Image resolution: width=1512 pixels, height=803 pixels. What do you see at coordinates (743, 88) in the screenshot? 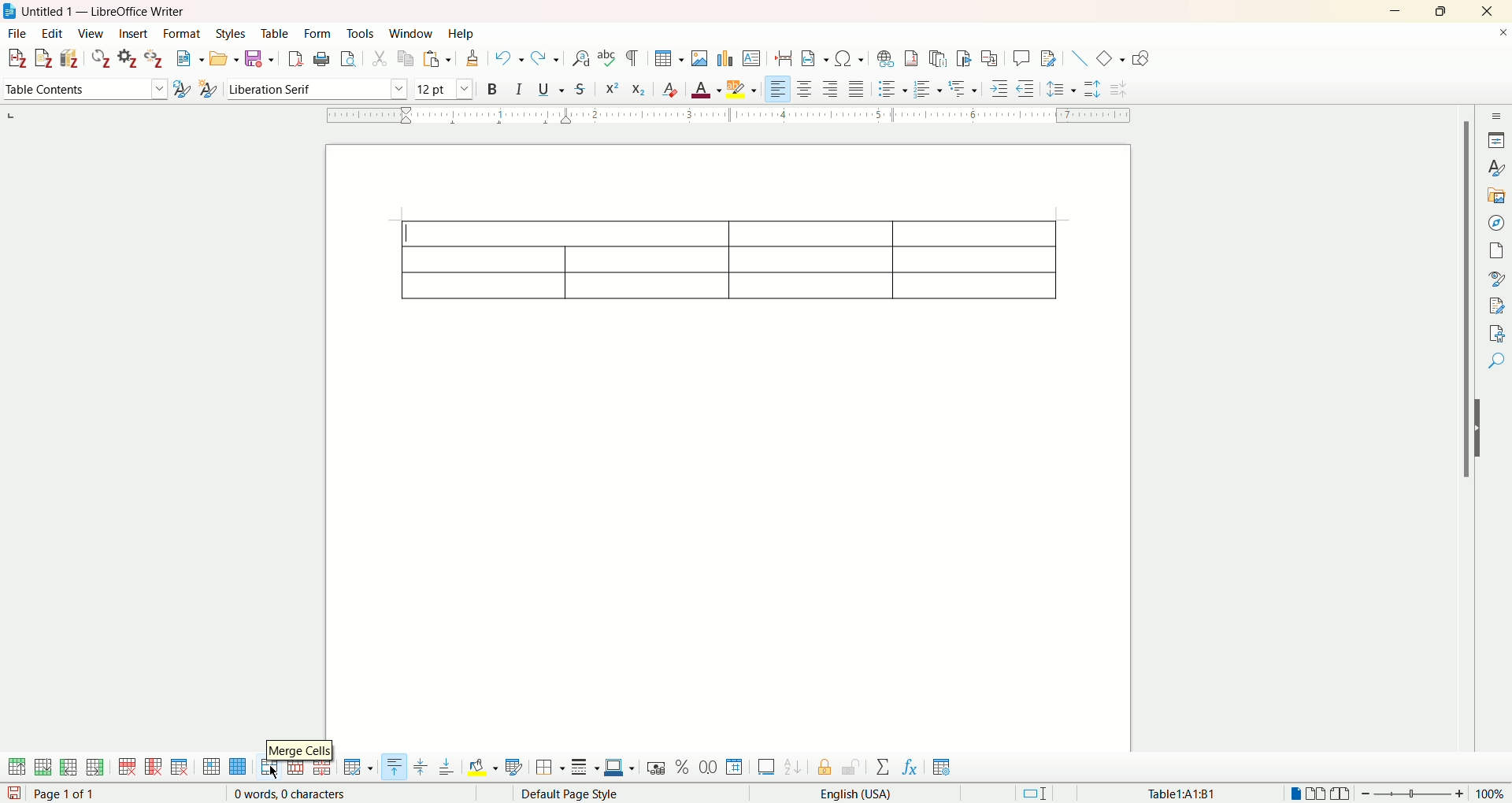
I see `highlighting color` at bounding box center [743, 88].